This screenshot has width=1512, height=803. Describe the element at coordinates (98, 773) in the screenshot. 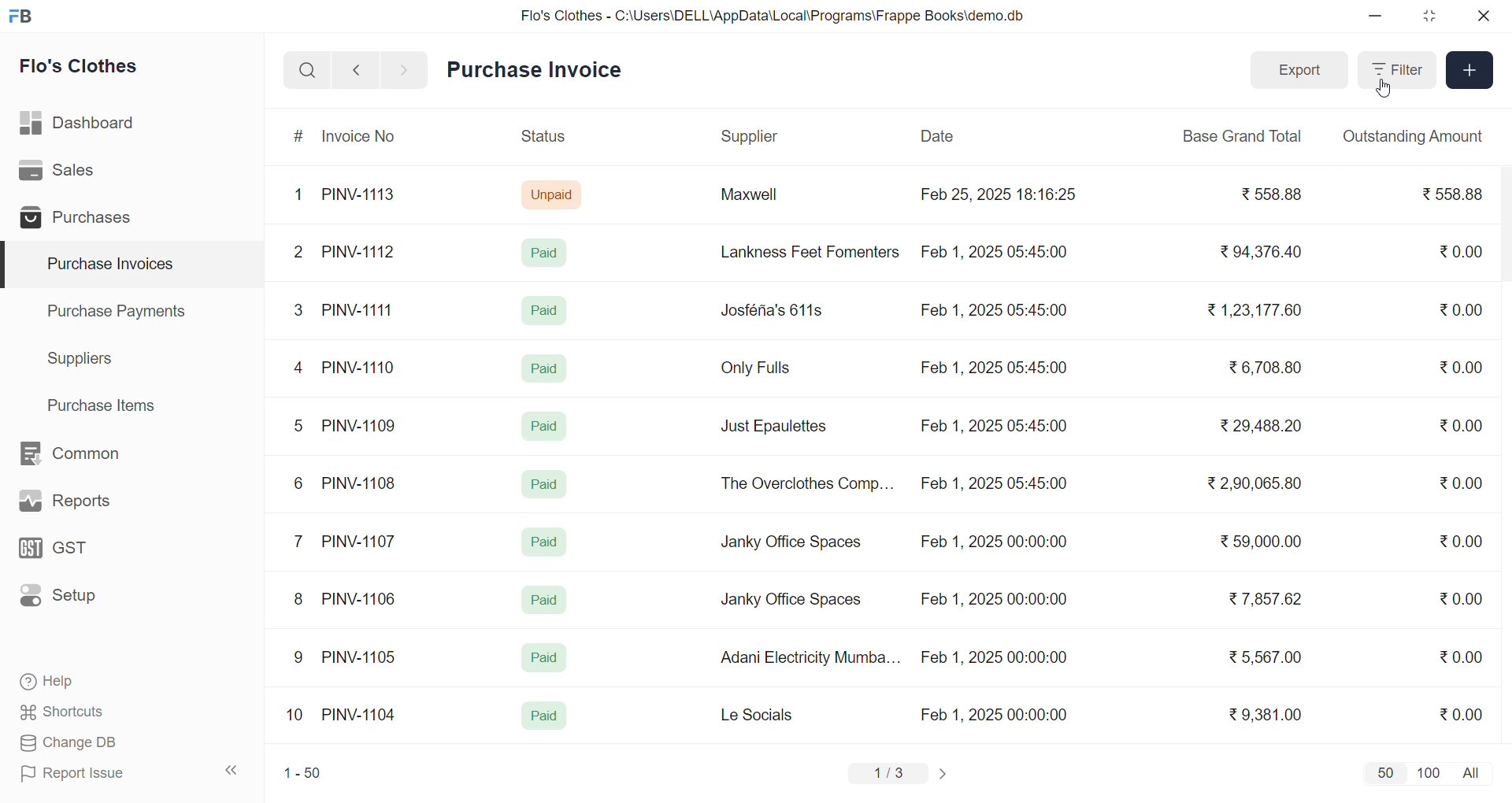

I see `Report Issue` at that location.